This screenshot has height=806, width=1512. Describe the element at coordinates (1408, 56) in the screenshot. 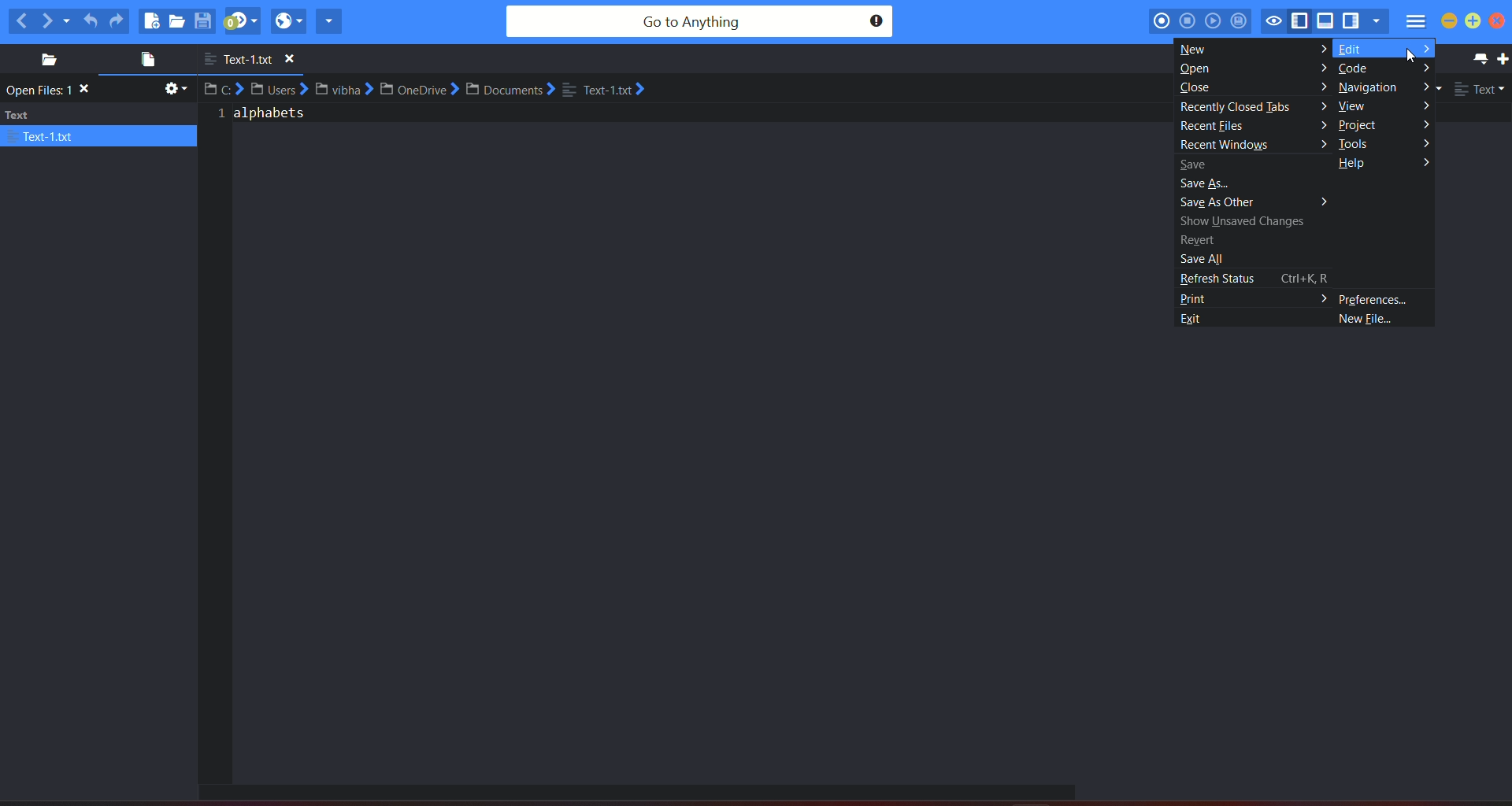

I see `Cursor` at that location.